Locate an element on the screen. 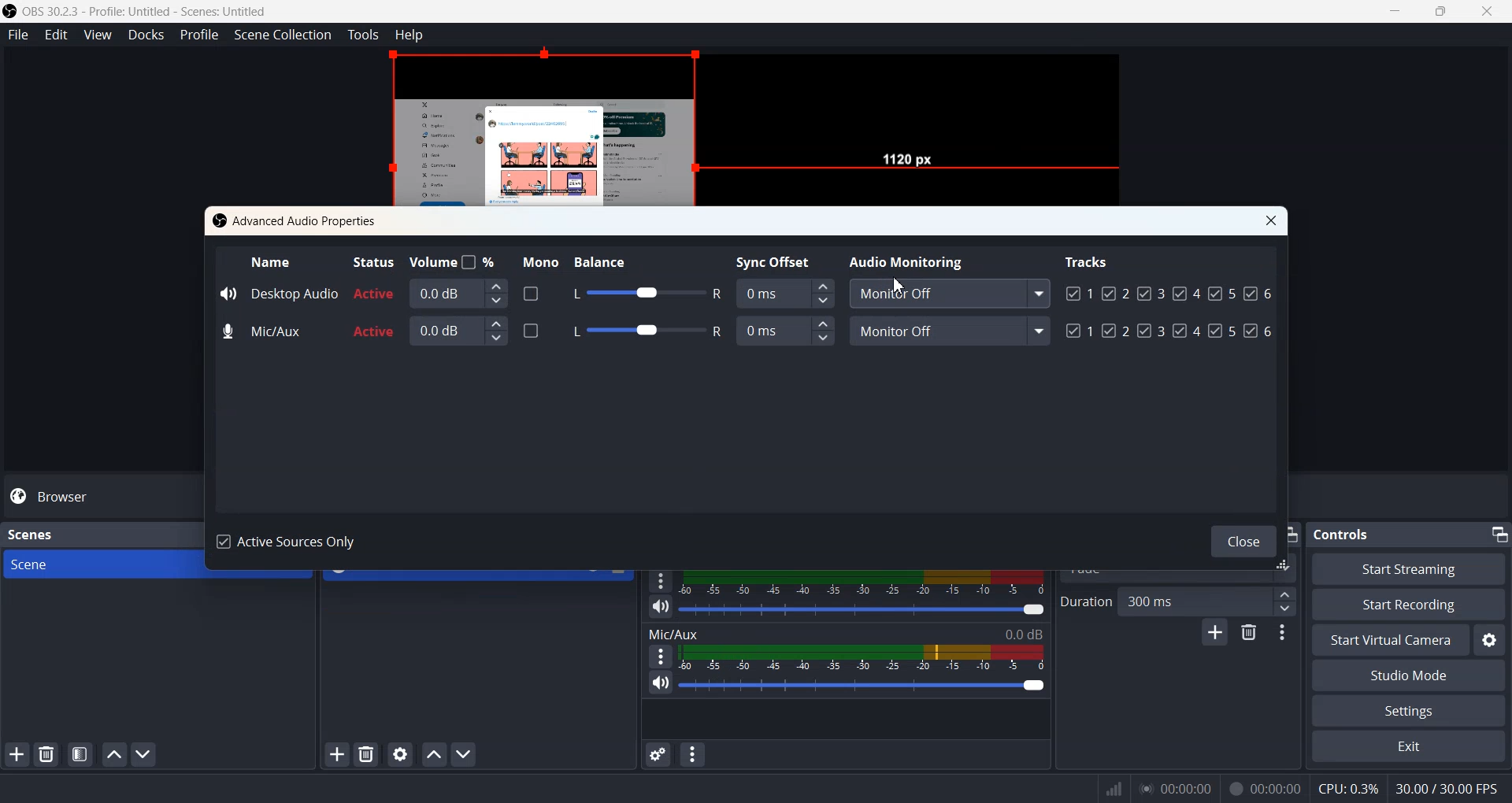 The image size is (1512, 803). Audio Monitoring is located at coordinates (910, 260).